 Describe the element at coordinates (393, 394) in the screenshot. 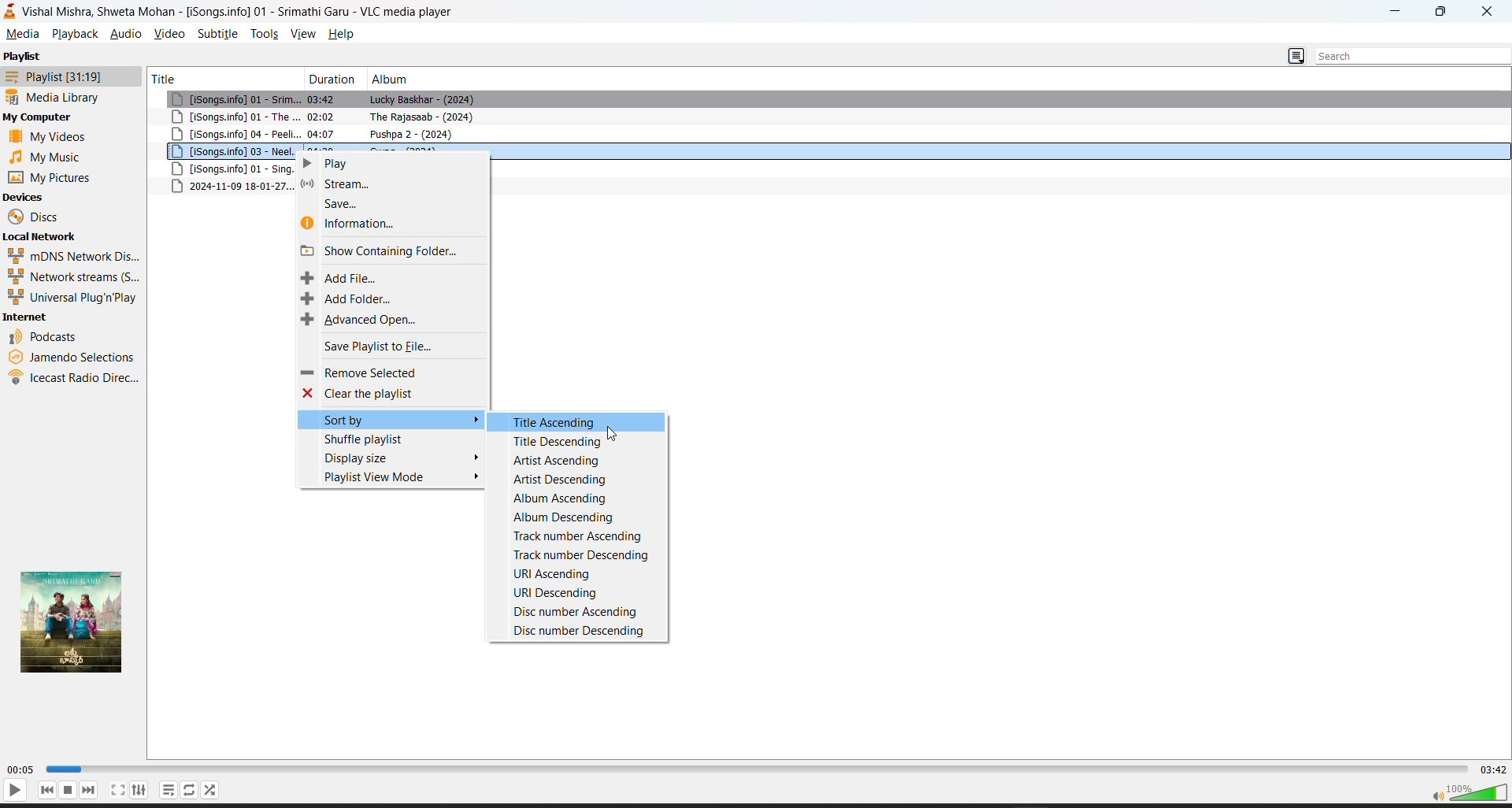

I see `clear the playlist` at that location.